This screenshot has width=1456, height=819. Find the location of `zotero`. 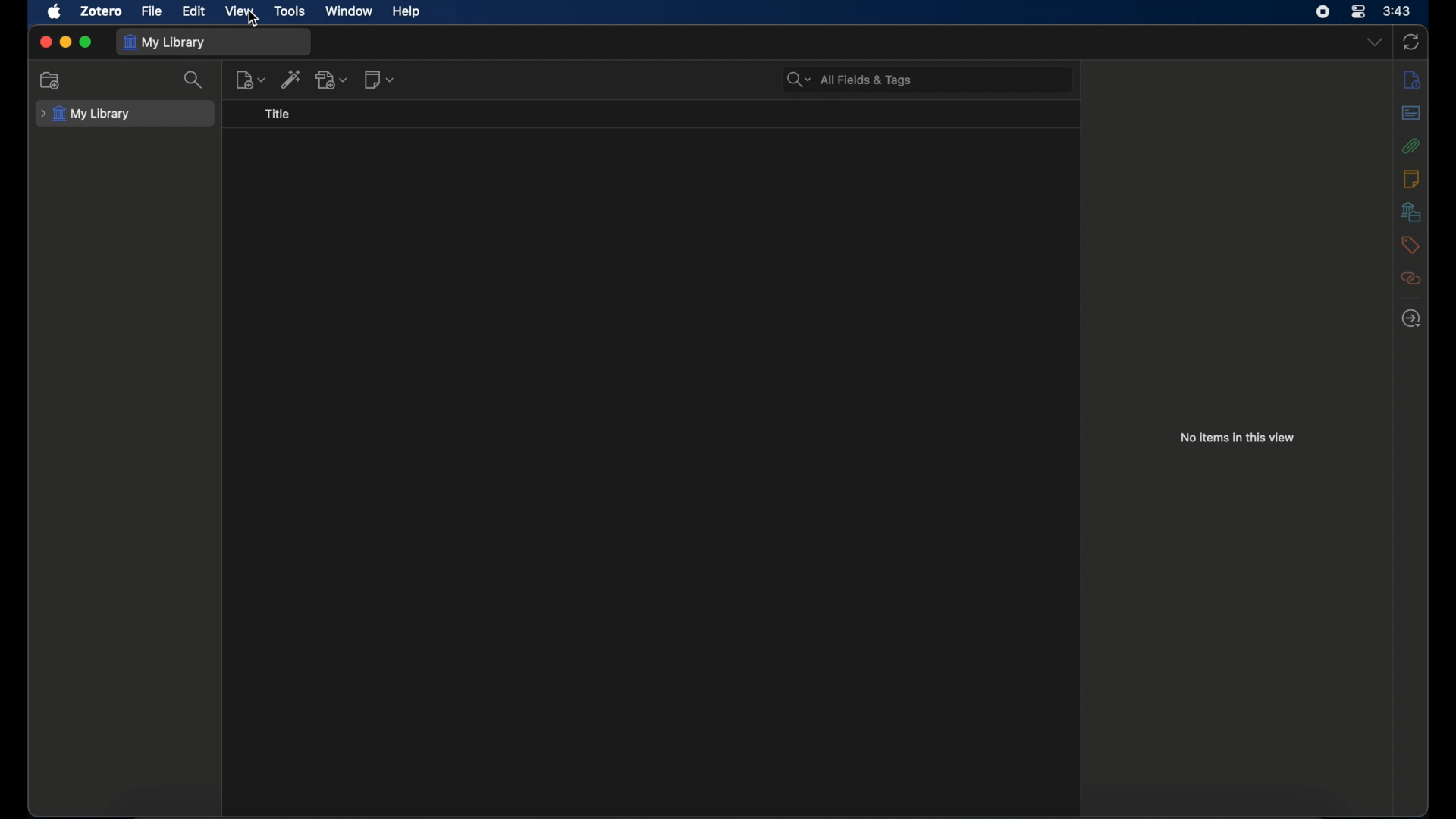

zotero is located at coordinates (102, 11).